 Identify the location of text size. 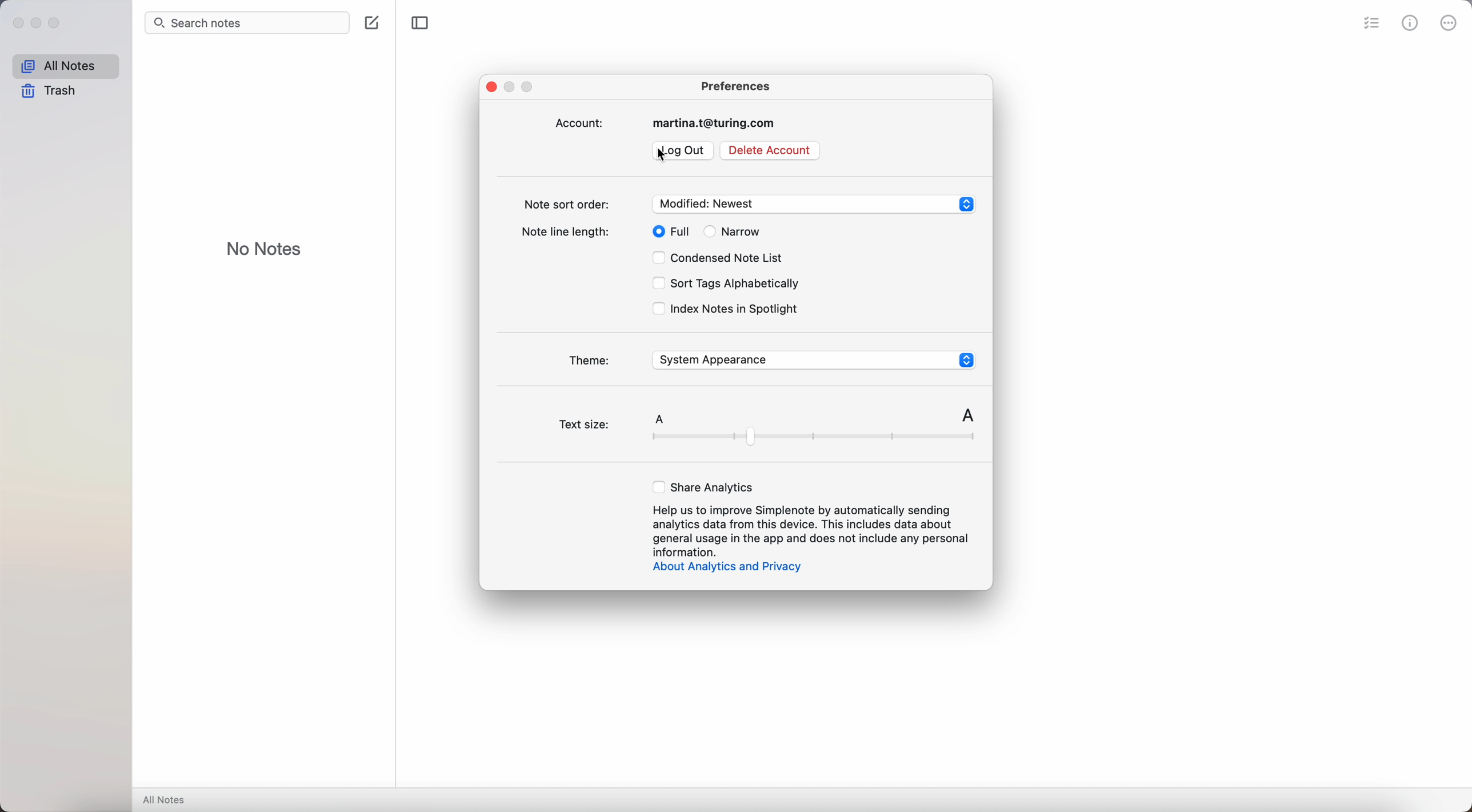
(770, 417).